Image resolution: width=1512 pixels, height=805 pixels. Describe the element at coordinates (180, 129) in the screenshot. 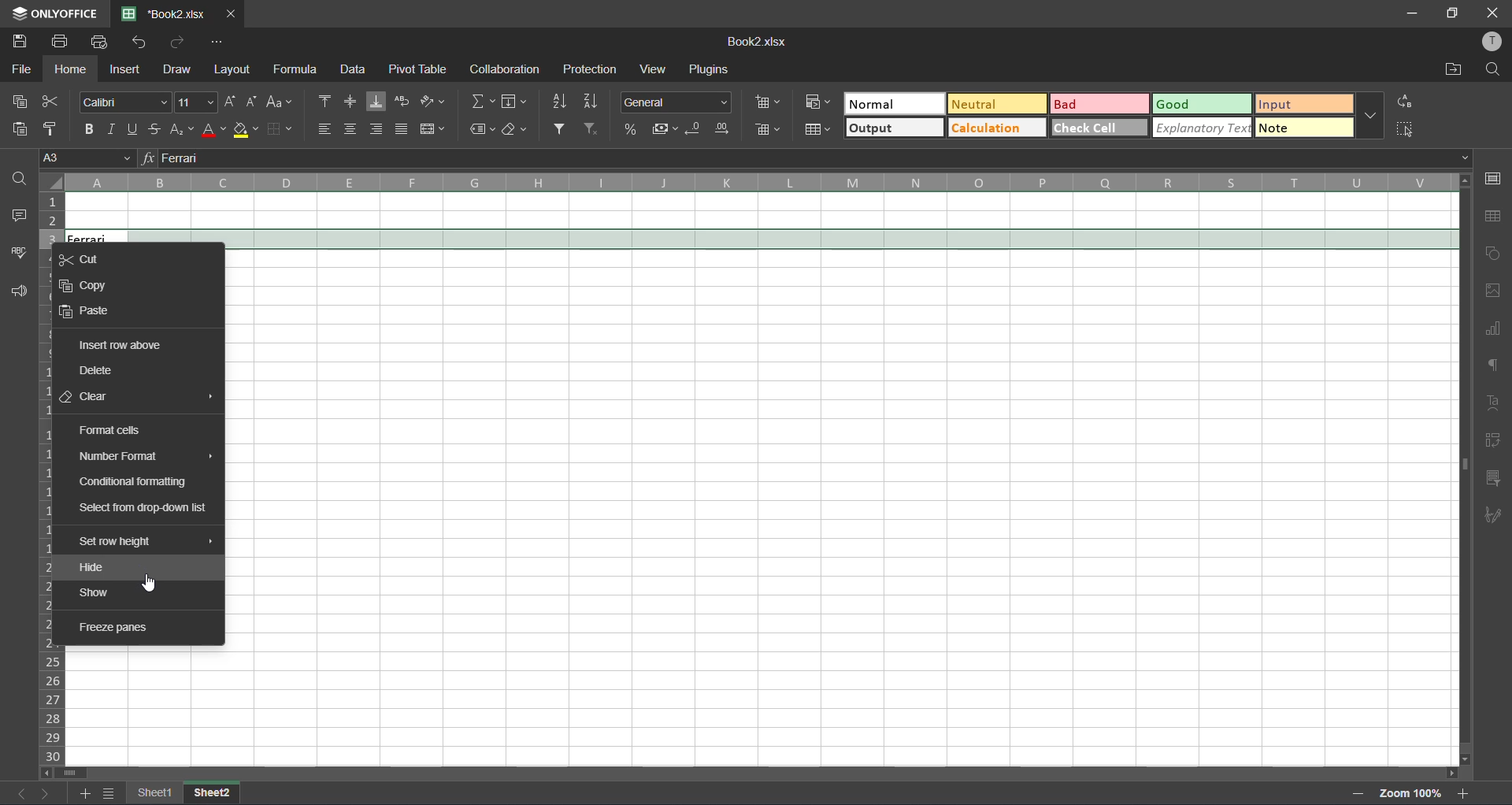

I see `sub/superscript` at that location.